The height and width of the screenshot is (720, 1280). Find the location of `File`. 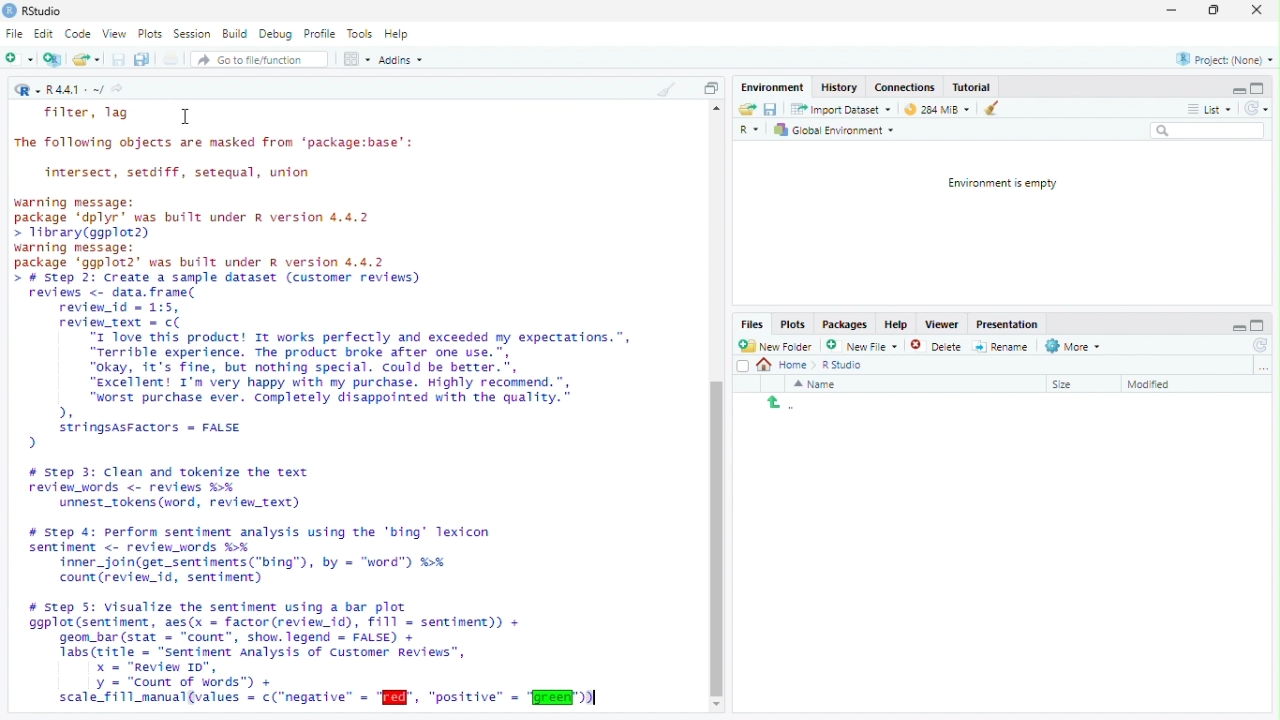

File is located at coordinates (14, 33).